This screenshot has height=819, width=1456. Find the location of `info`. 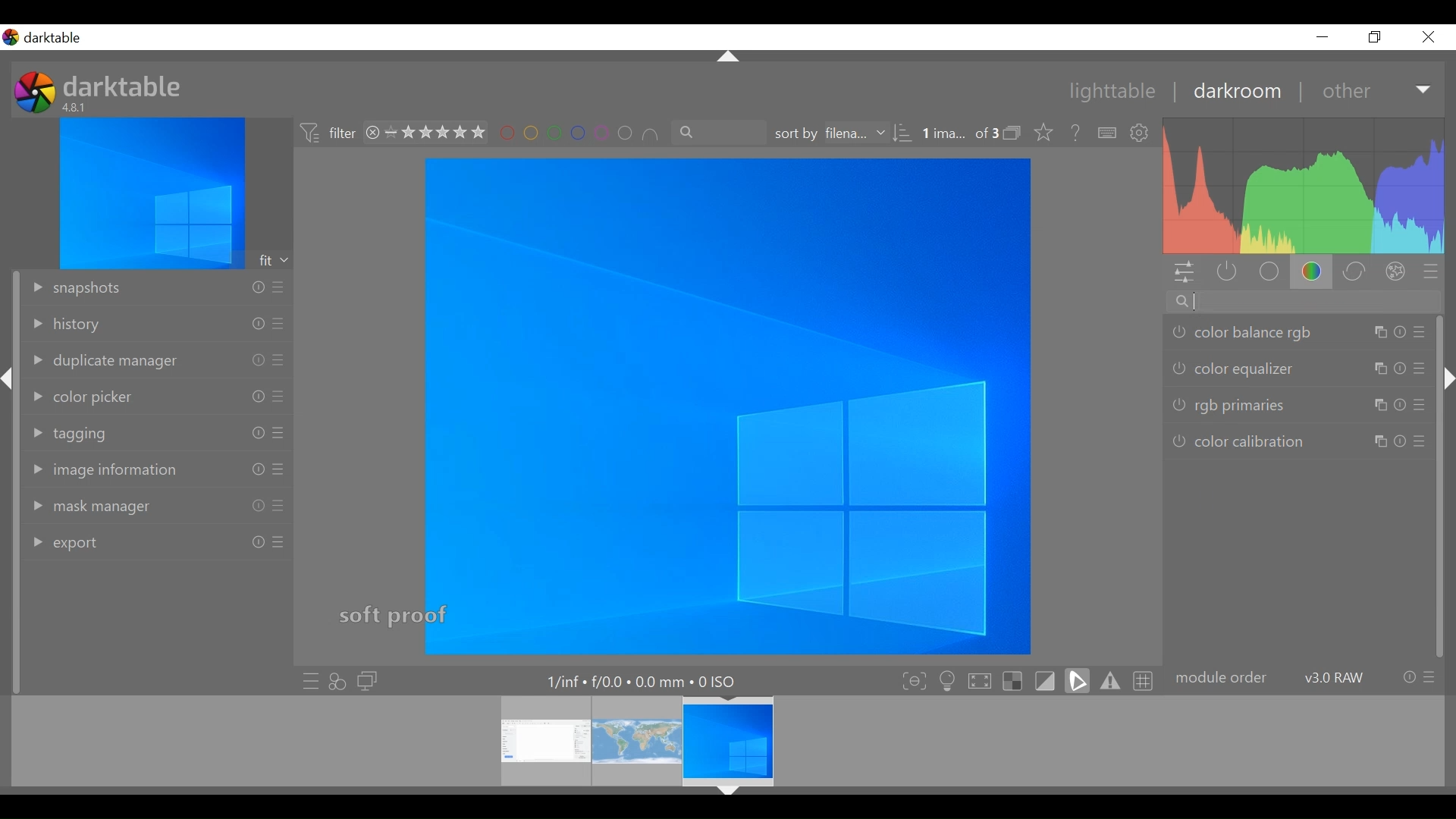

info is located at coordinates (257, 360).